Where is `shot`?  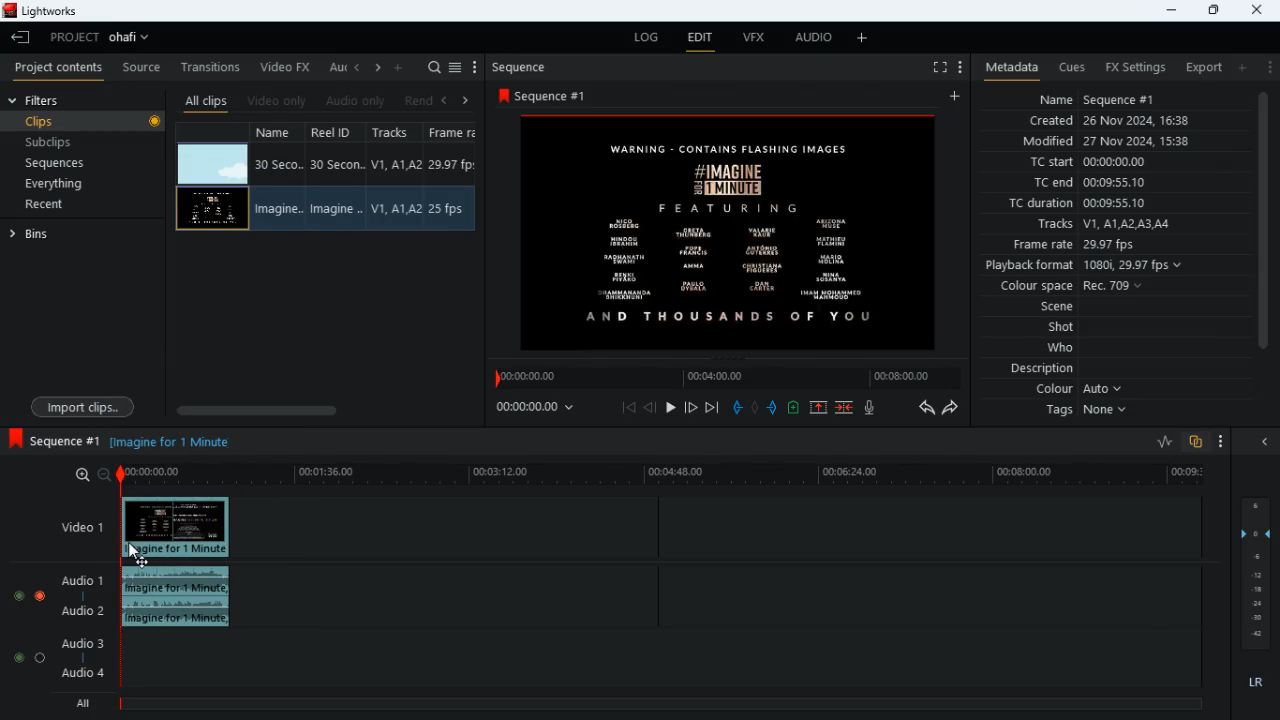
shot is located at coordinates (1055, 327).